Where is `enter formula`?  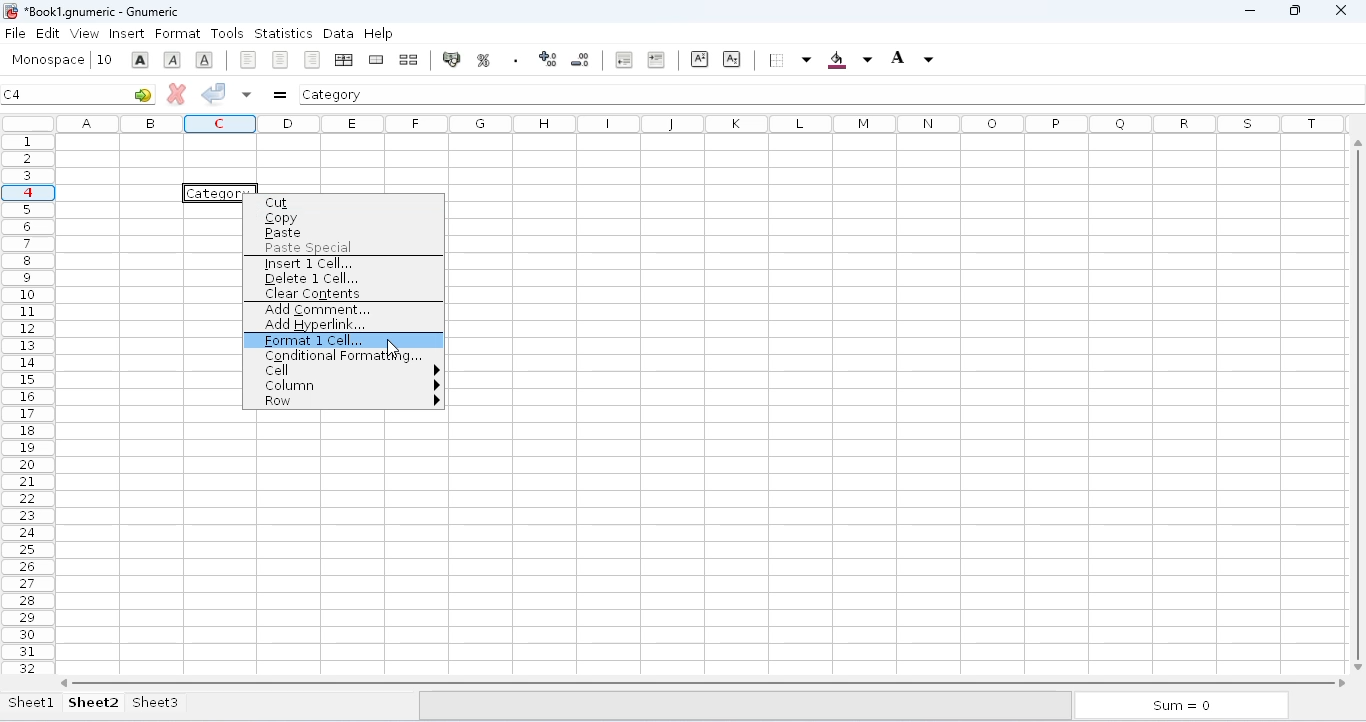
enter formula is located at coordinates (280, 95).